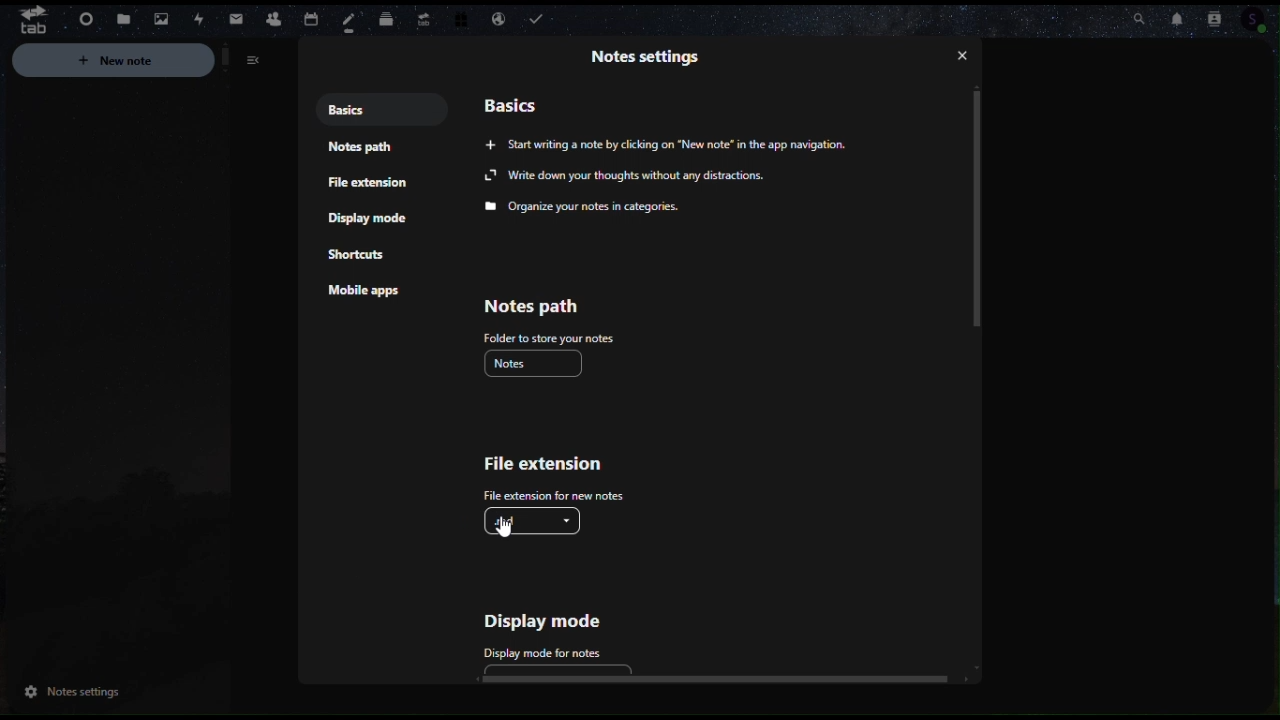 The width and height of the screenshot is (1280, 720). Describe the element at coordinates (1134, 15) in the screenshot. I see `Search bar` at that location.